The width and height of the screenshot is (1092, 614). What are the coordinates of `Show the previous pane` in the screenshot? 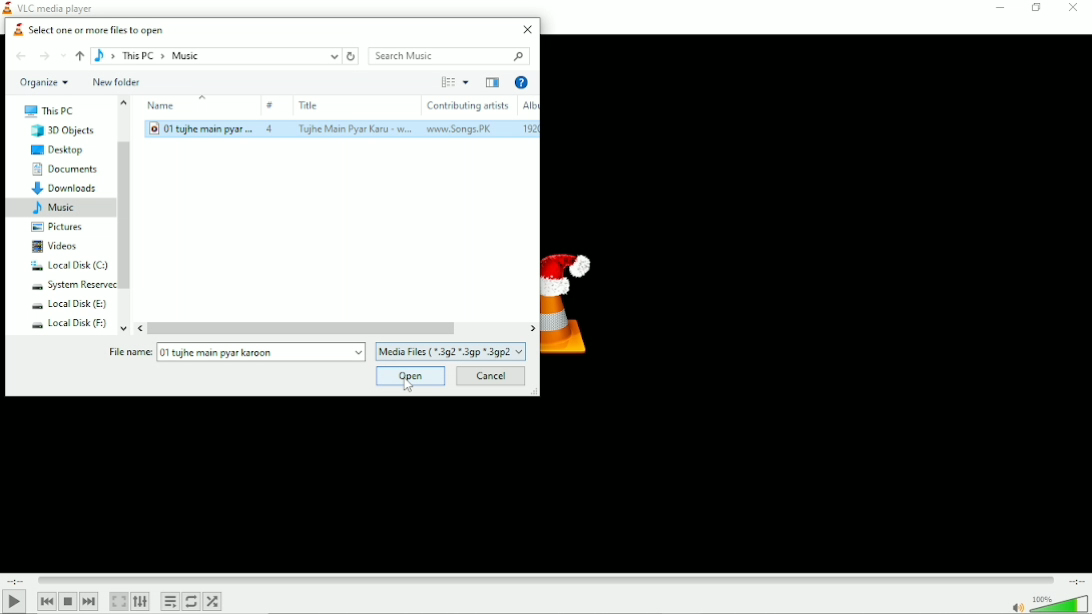 It's located at (492, 82).